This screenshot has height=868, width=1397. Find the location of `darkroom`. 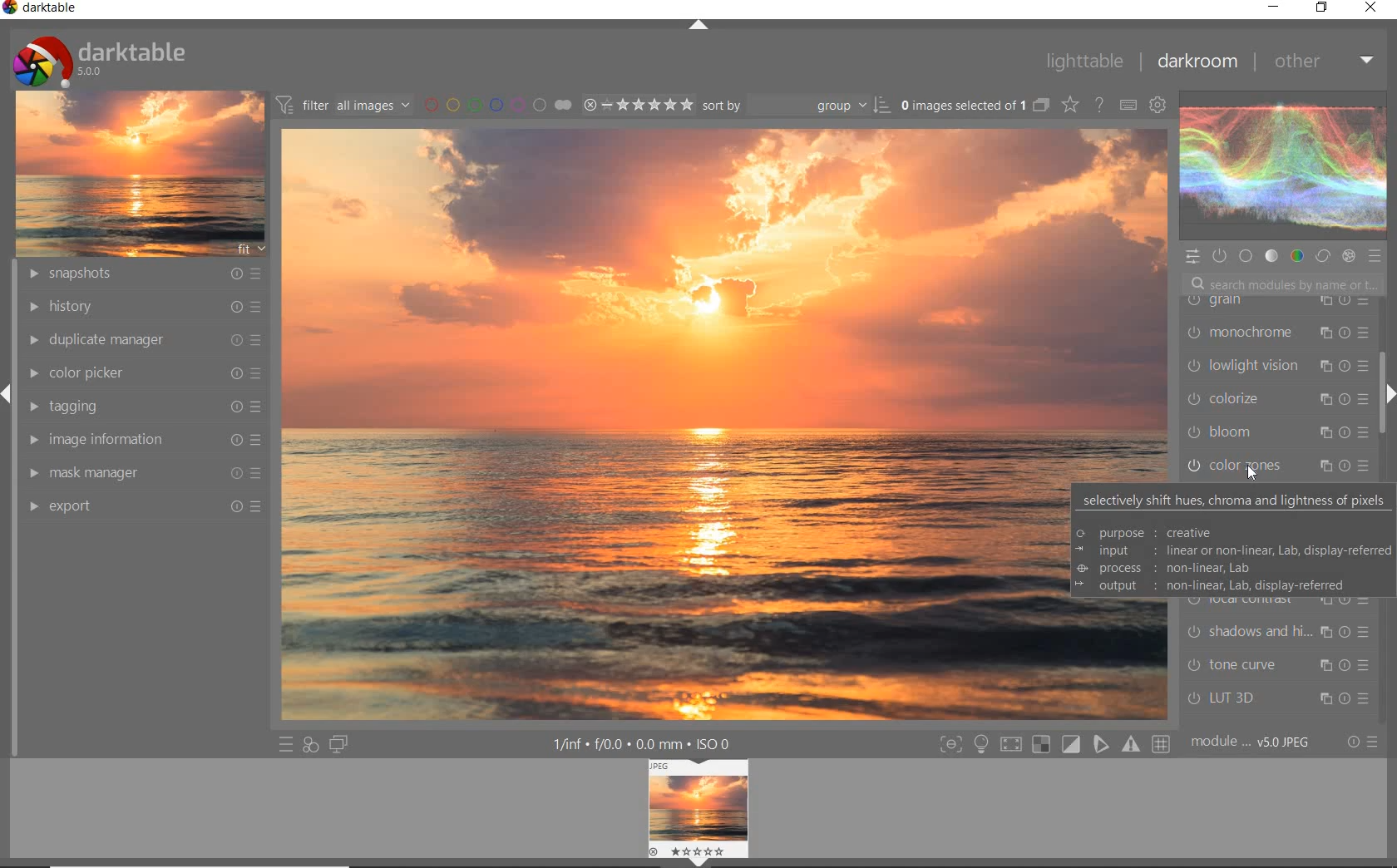

darkroom is located at coordinates (1201, 62).